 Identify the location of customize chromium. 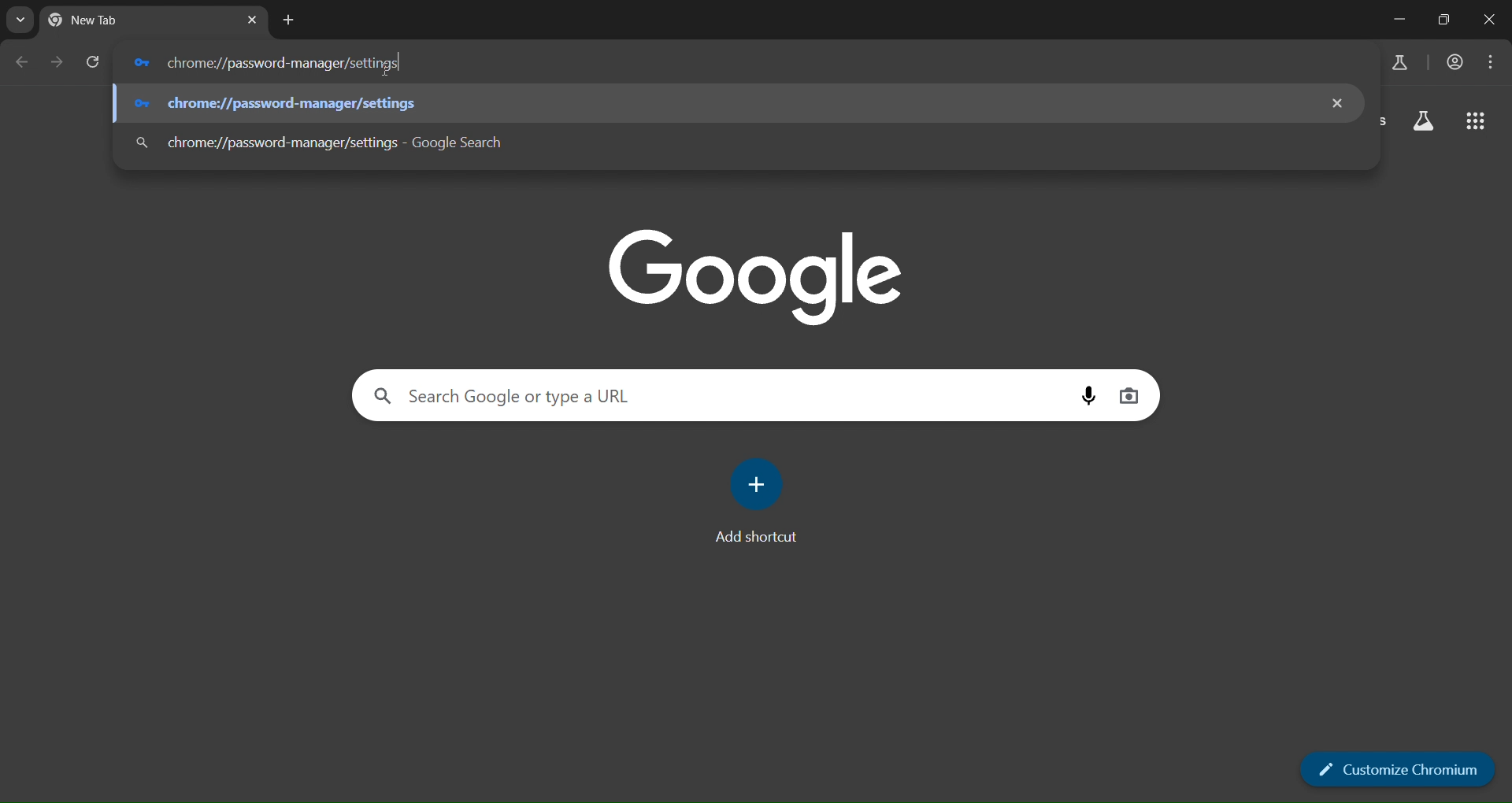
(1397, 769).